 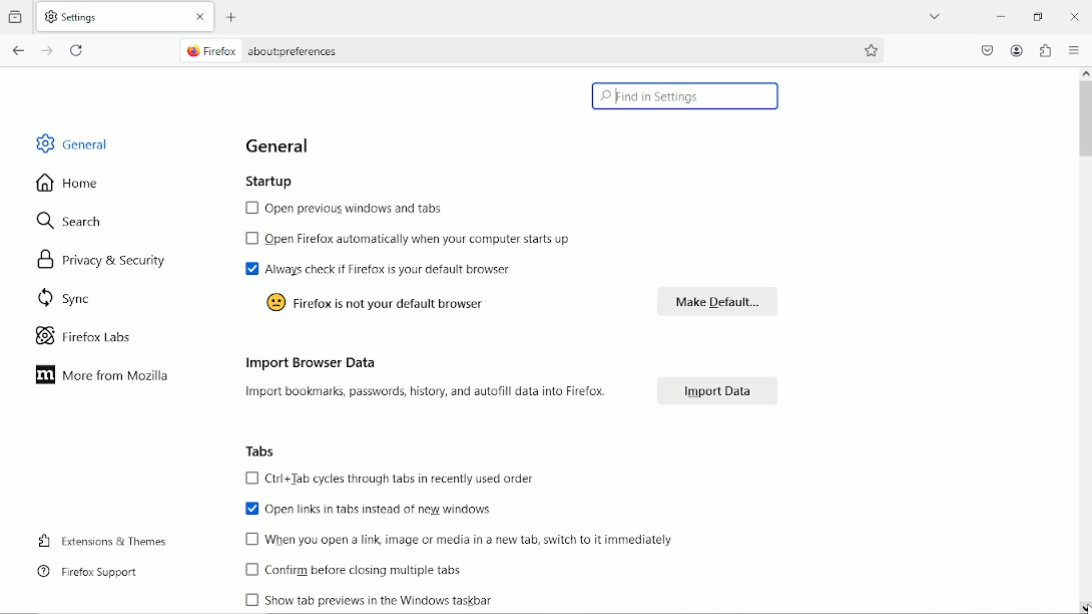 What do you see at coordinates (84, 336) in the screenshot?
I see `firefox labs` at bounding box center [84, 336].